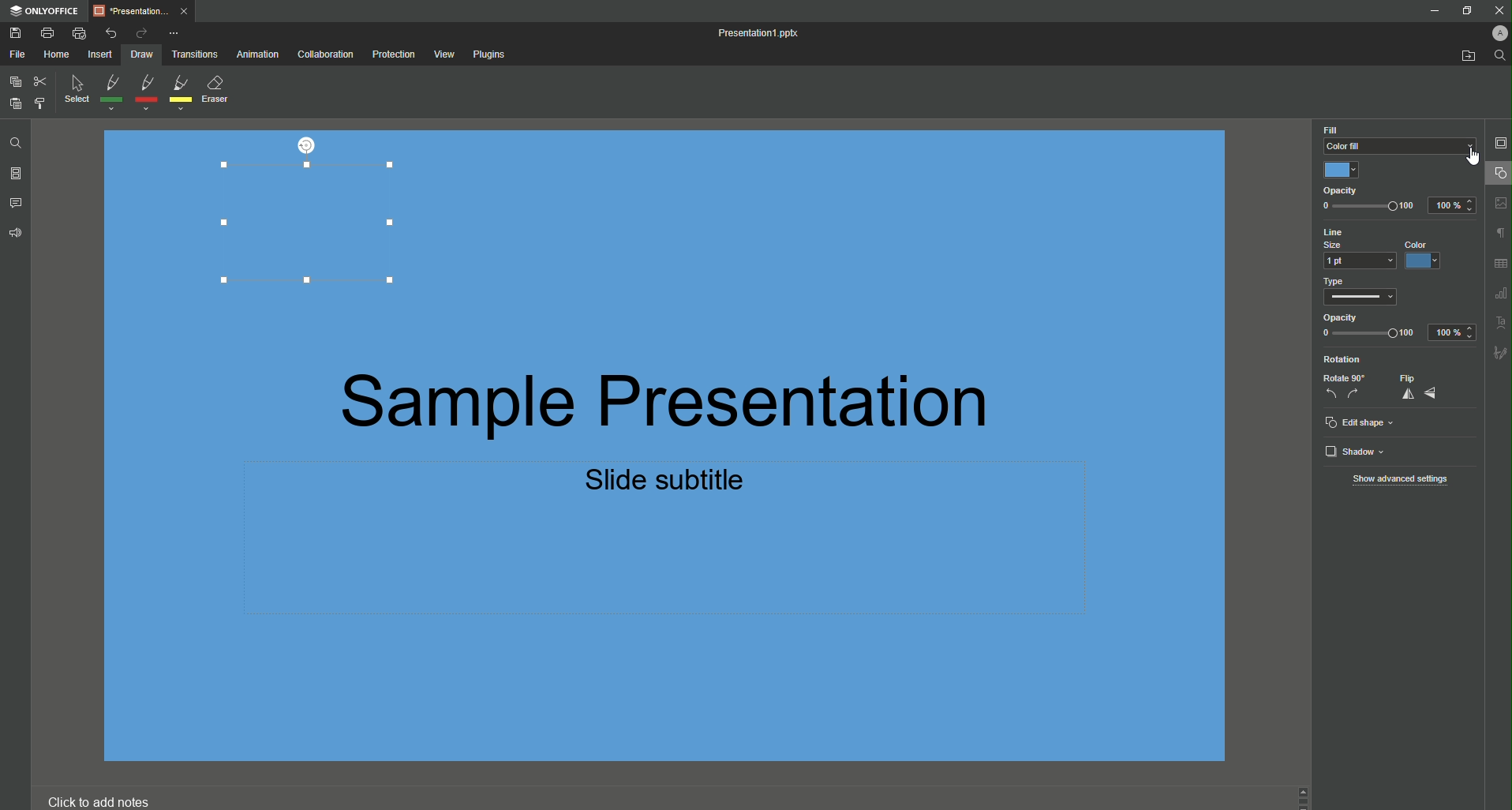 This screenshot has width=1512, height=810. Describe the element at coordinates (13, 141) in the screenshot. I see `Find` at that location.